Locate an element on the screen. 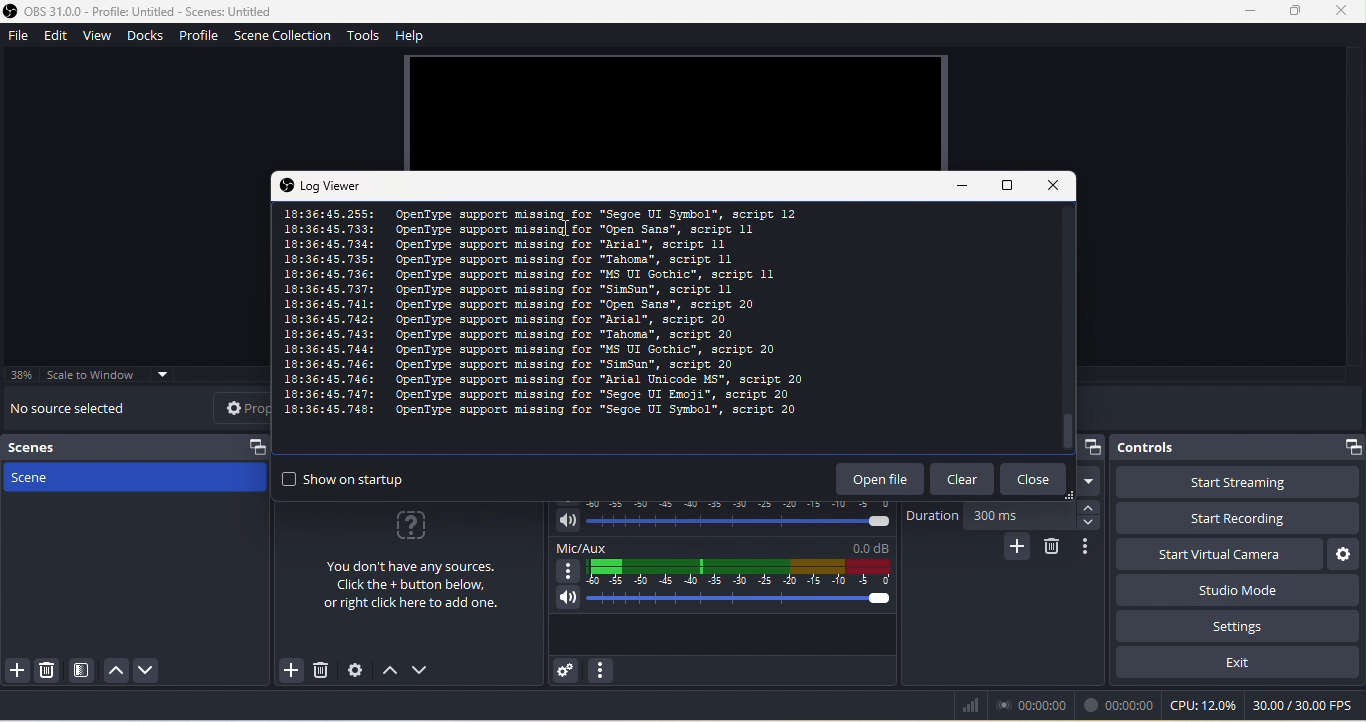  help is located at coordinates (415, 39).